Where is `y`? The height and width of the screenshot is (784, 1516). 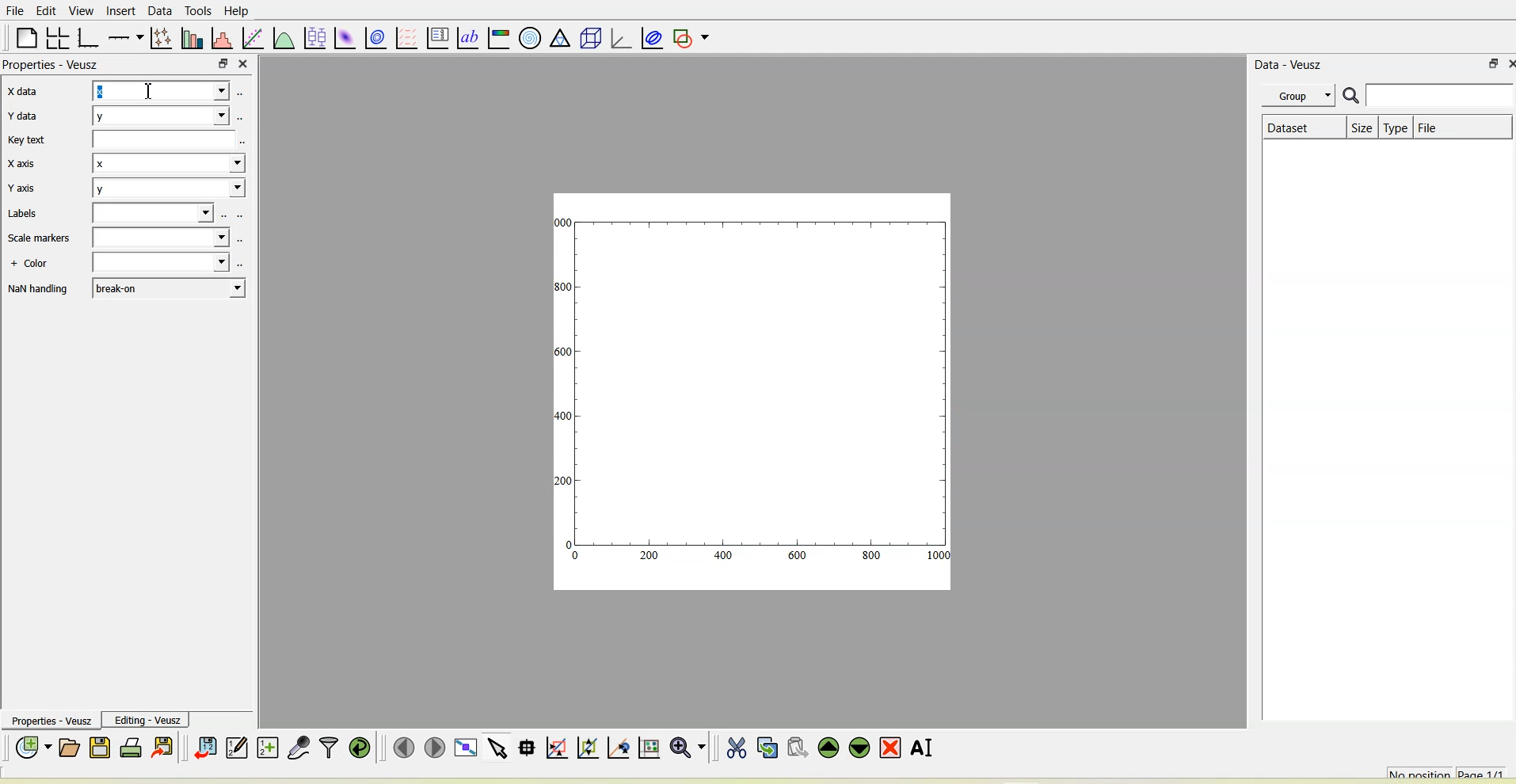
y is located at coordinates (161, 116).